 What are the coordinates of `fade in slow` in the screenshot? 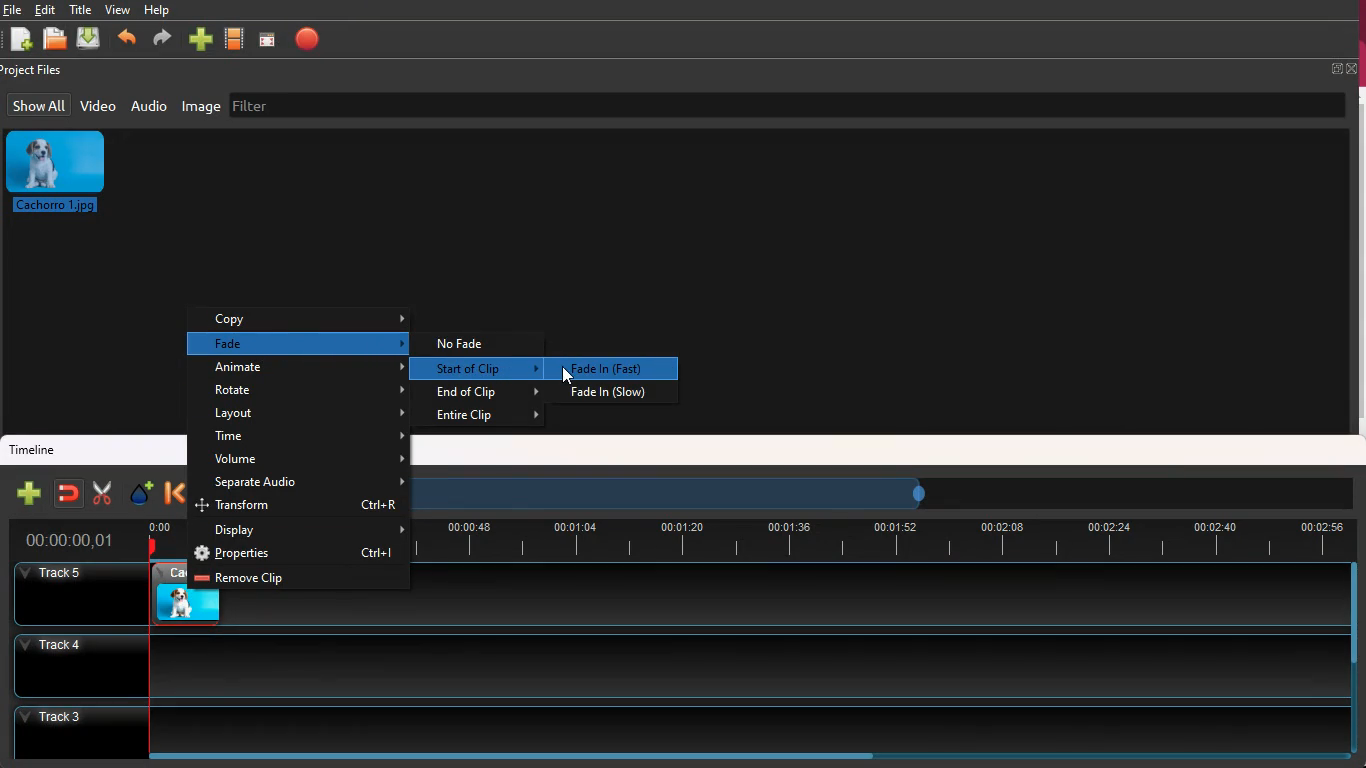 It's located at (619, 394).